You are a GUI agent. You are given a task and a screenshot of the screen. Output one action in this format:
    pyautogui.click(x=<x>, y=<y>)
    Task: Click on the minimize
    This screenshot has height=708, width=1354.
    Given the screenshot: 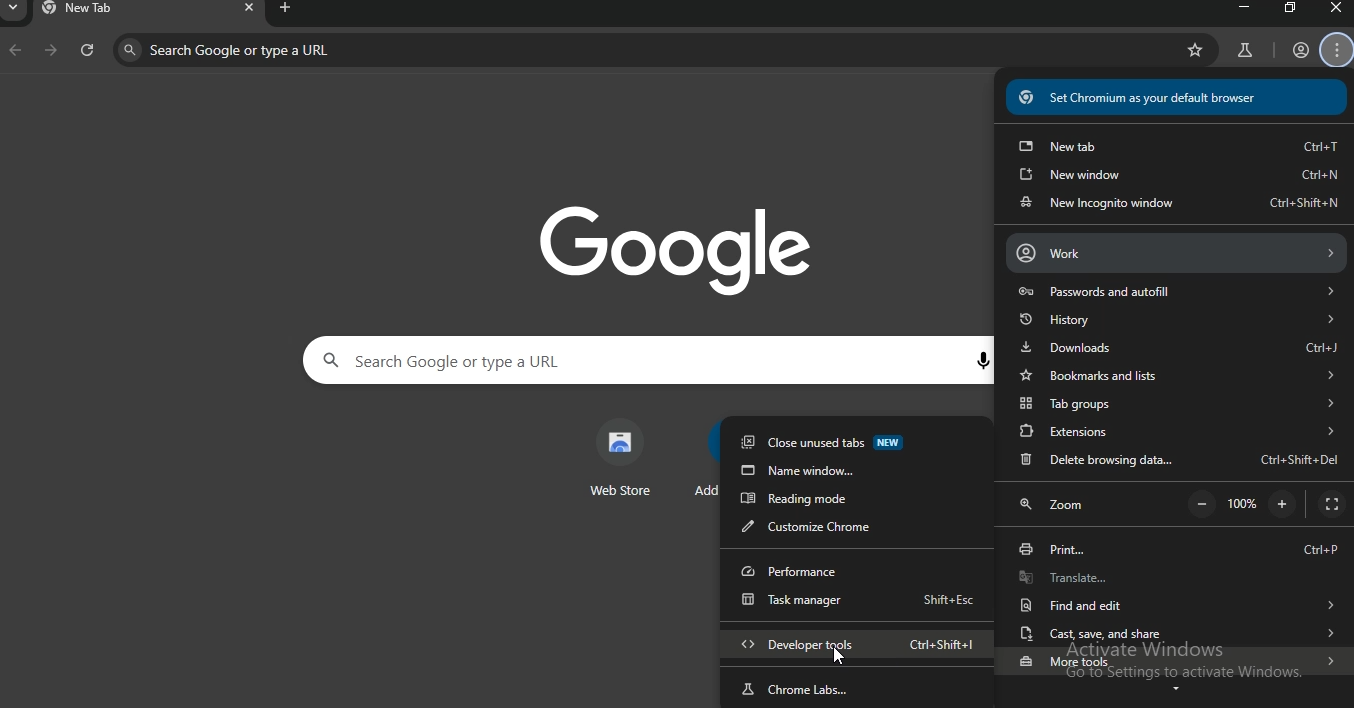 What is the action you would take?
    pyautogui.click(x=1236, y=8)
    